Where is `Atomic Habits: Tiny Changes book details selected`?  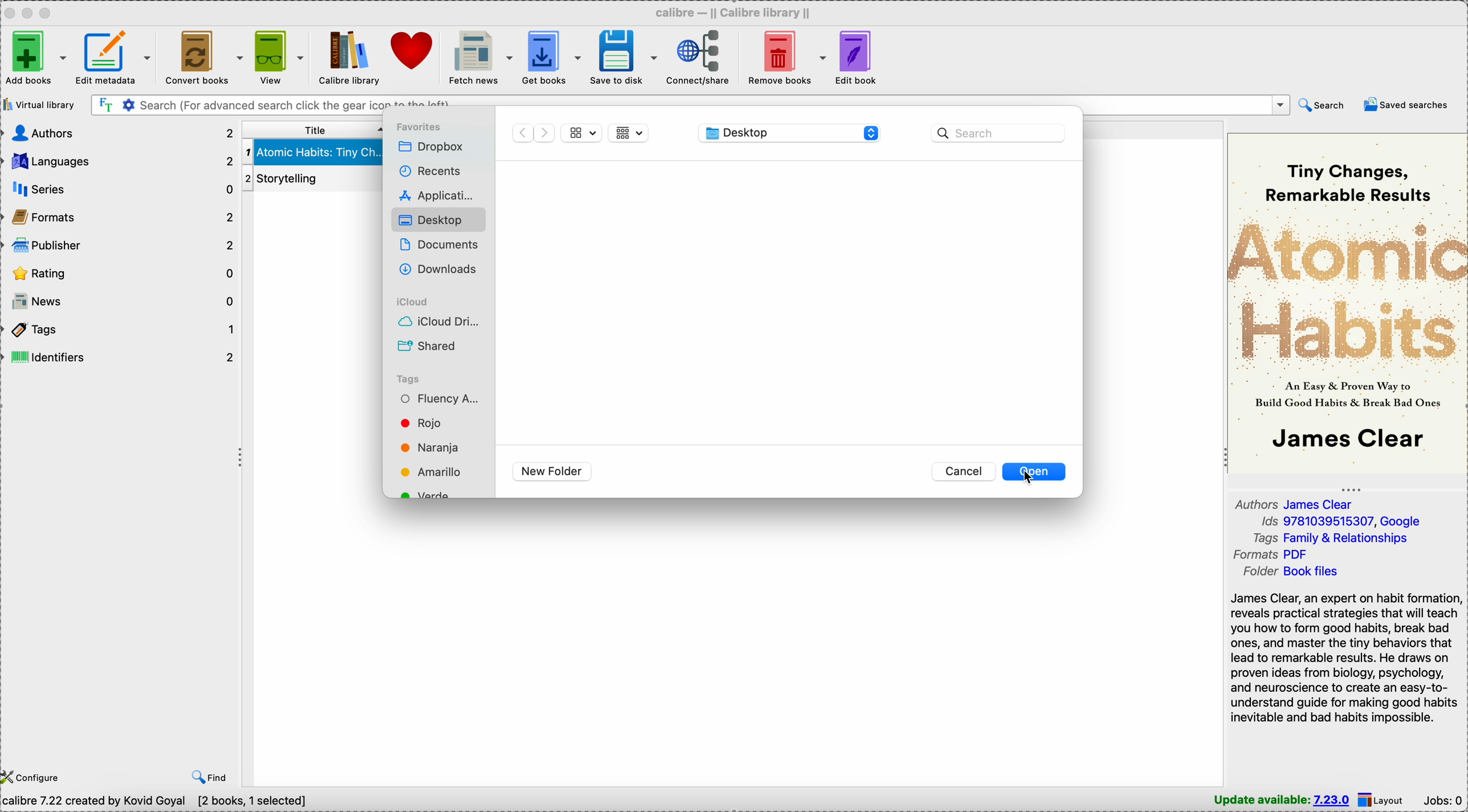
Atomic Habits: Tiny Changes book details selected is located at coordinates (311, 153).